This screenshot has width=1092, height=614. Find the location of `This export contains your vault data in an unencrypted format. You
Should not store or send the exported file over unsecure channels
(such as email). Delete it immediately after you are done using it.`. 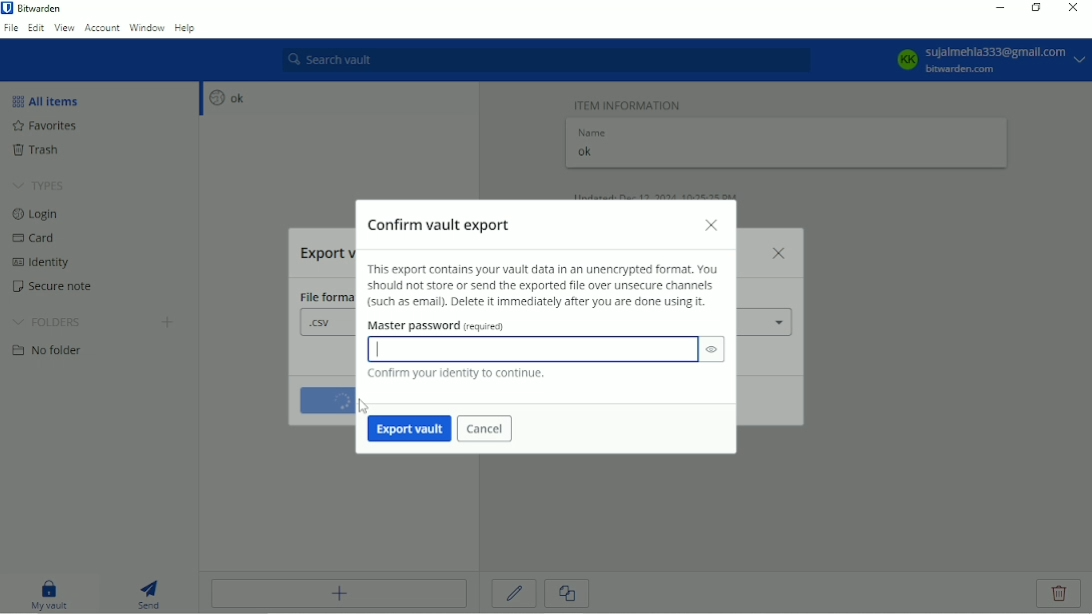

This export contains your vault data in an unencrypted format. You
Should not store or send the exported file over unsecure channels
(such as email). Delete it immediately after you are done using it. is located at coordinates (543, 286).